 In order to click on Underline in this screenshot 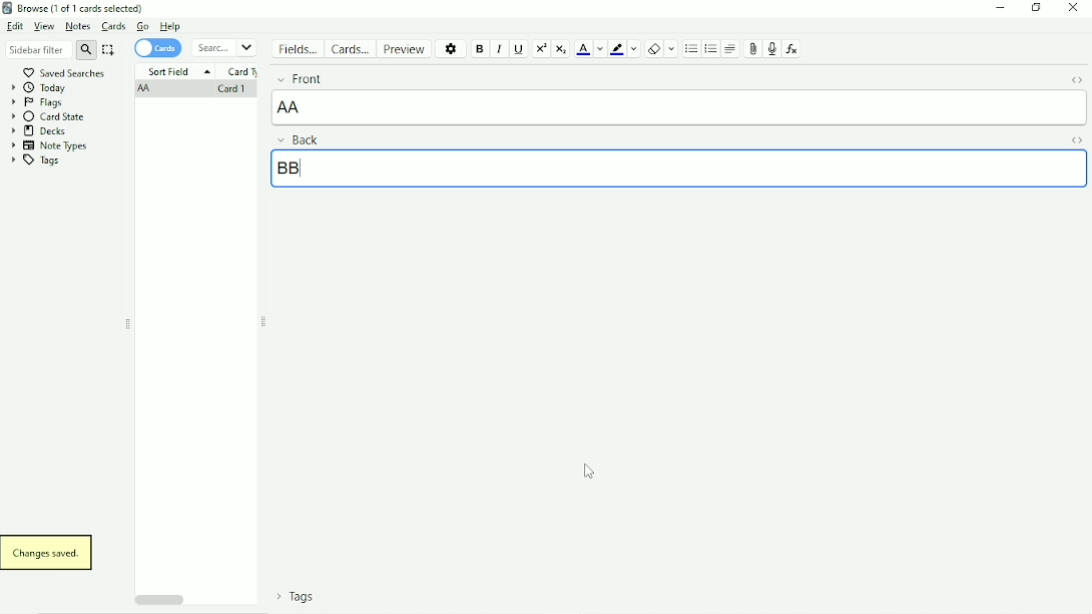, I will do `click(519, 49)`.